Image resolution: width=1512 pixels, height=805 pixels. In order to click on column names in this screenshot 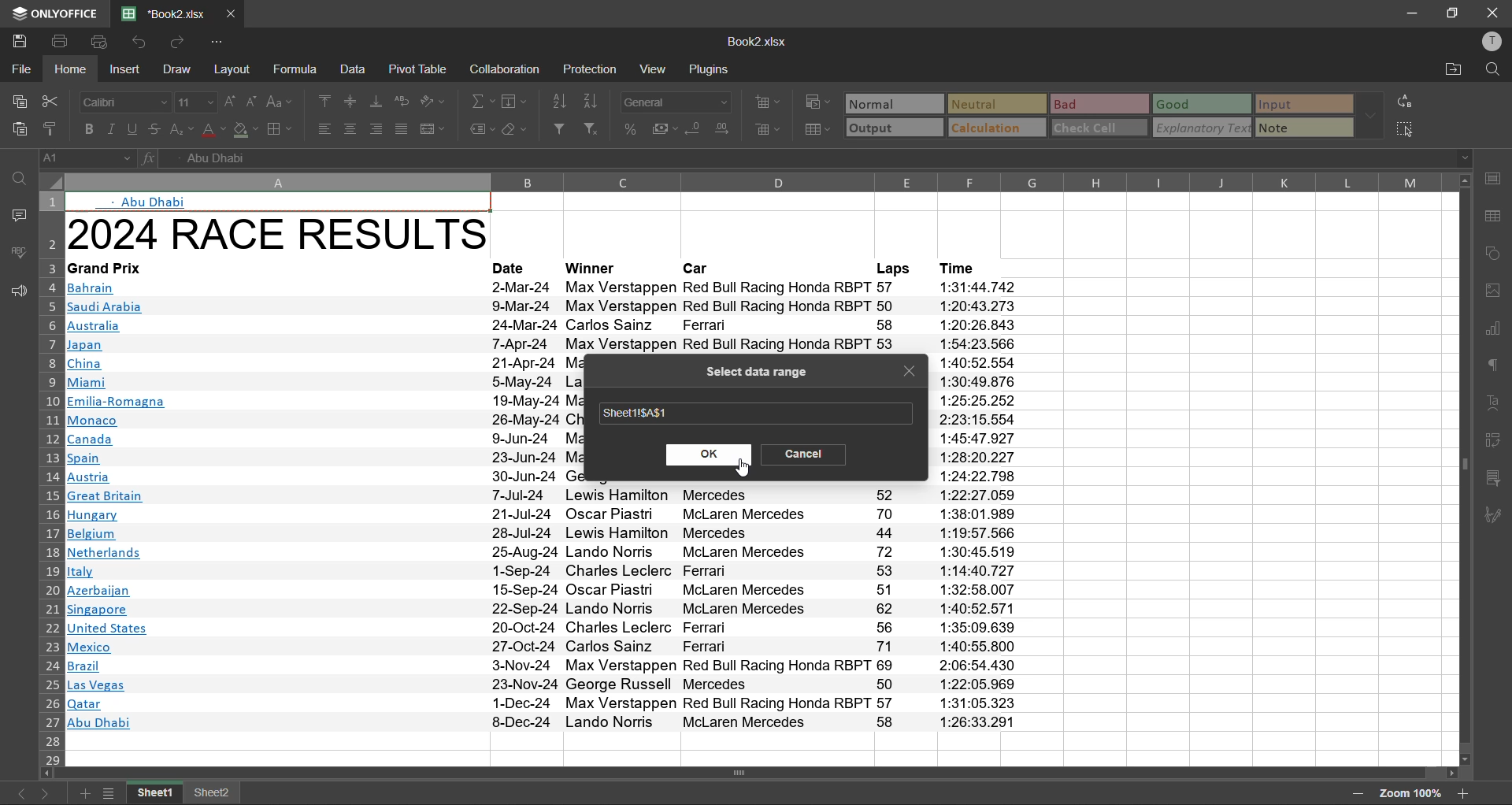, I will do `click(748, 181)`.